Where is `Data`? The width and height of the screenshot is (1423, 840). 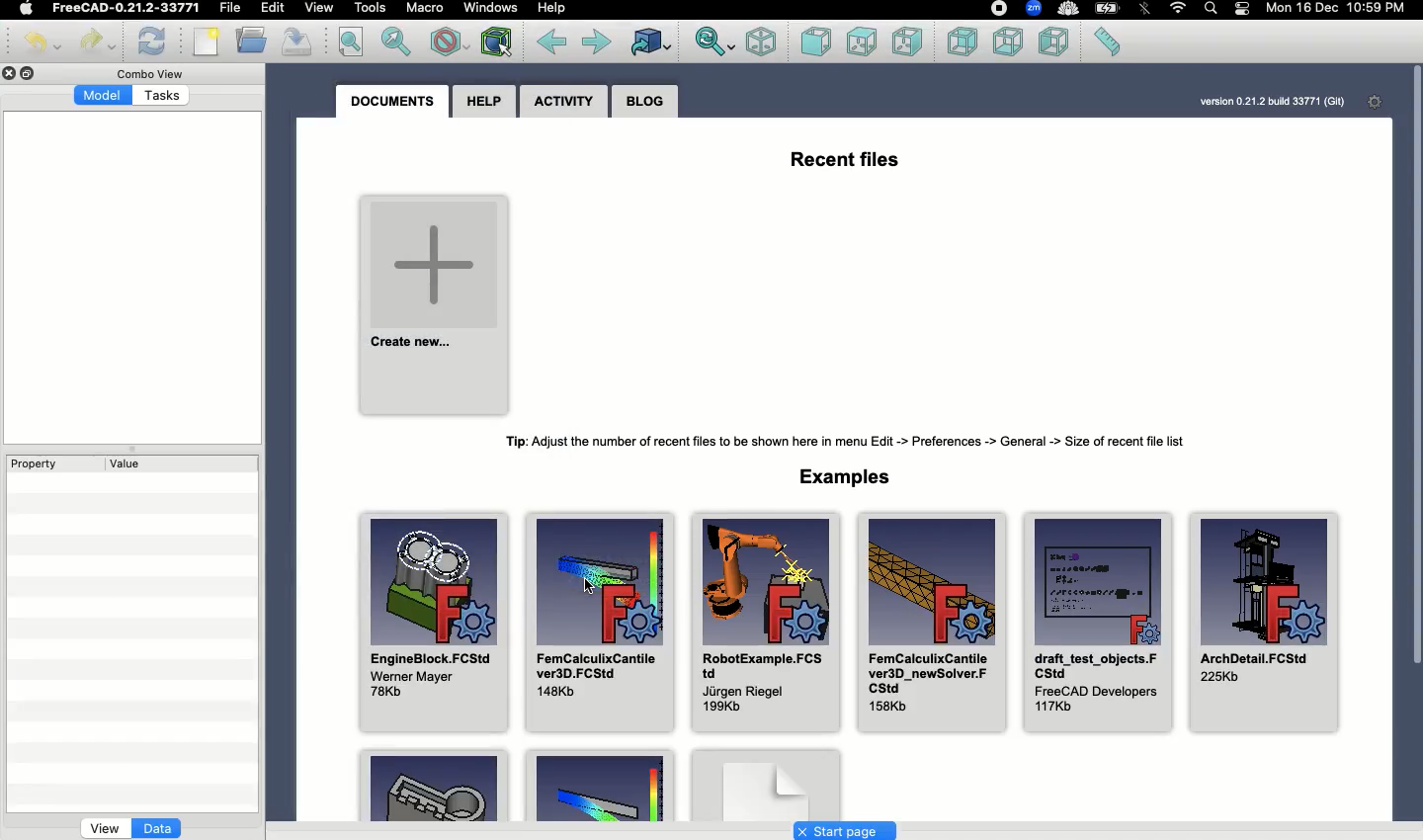
Data is located at coordinates (157, 828).